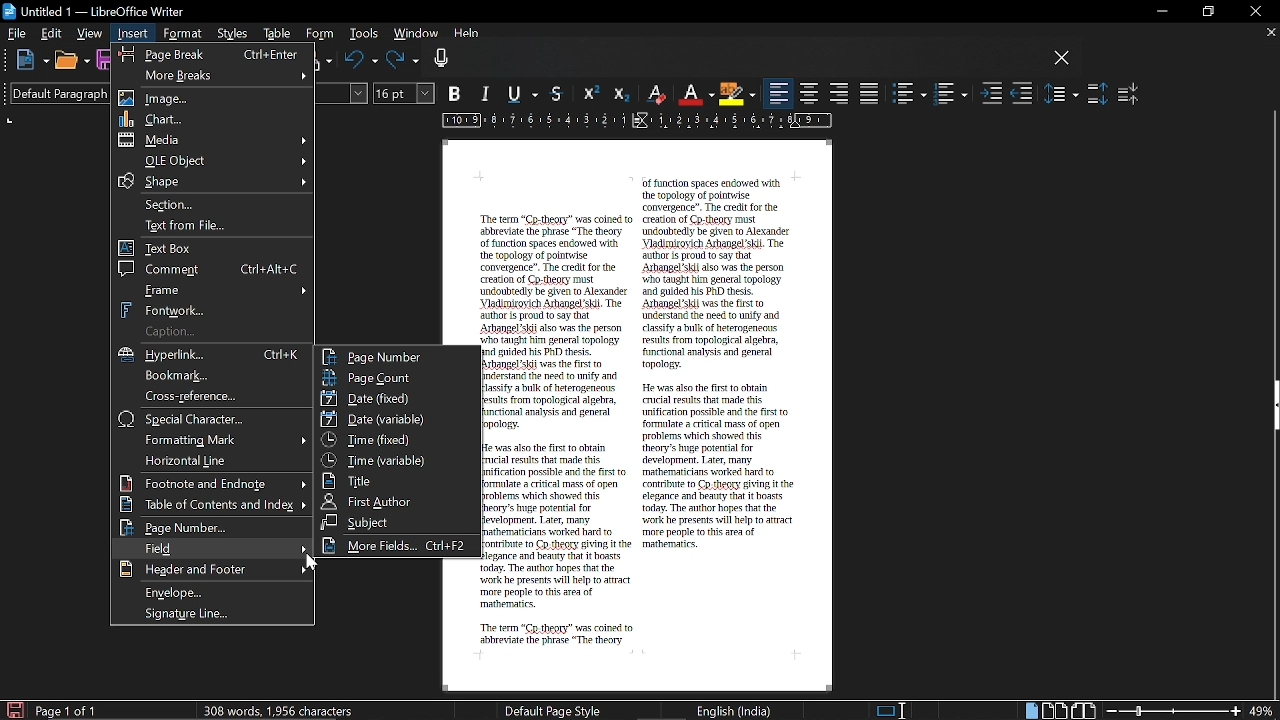 This screenshot has height=720, width=1280. What do you see at coordinates (70, 711) in the screenshot?
I see `page 1 of 1` at bounding box center [70, 711].